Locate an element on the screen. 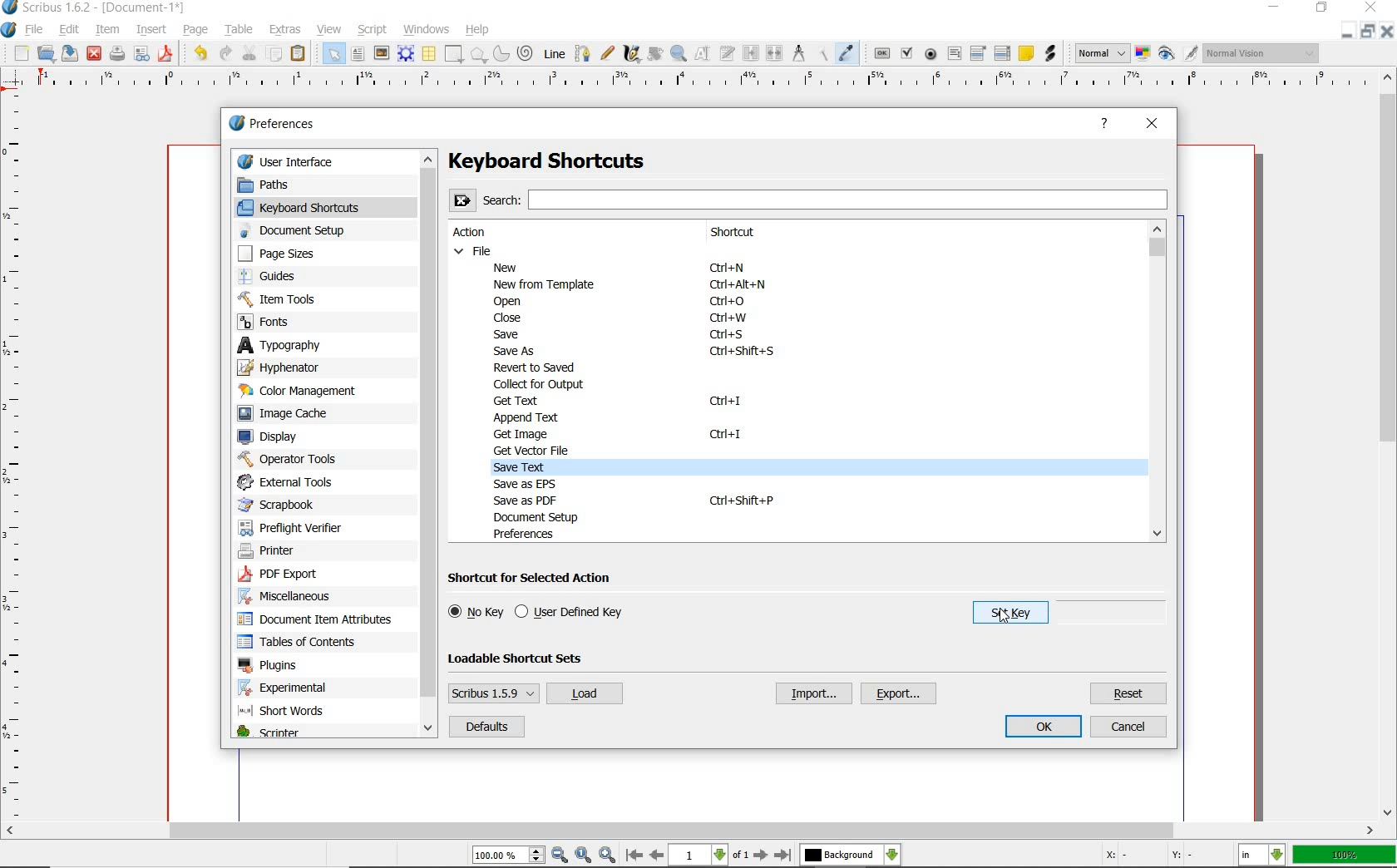 This screenshot has height=868, width=1397. external tools is located at coordinates (293, 481).